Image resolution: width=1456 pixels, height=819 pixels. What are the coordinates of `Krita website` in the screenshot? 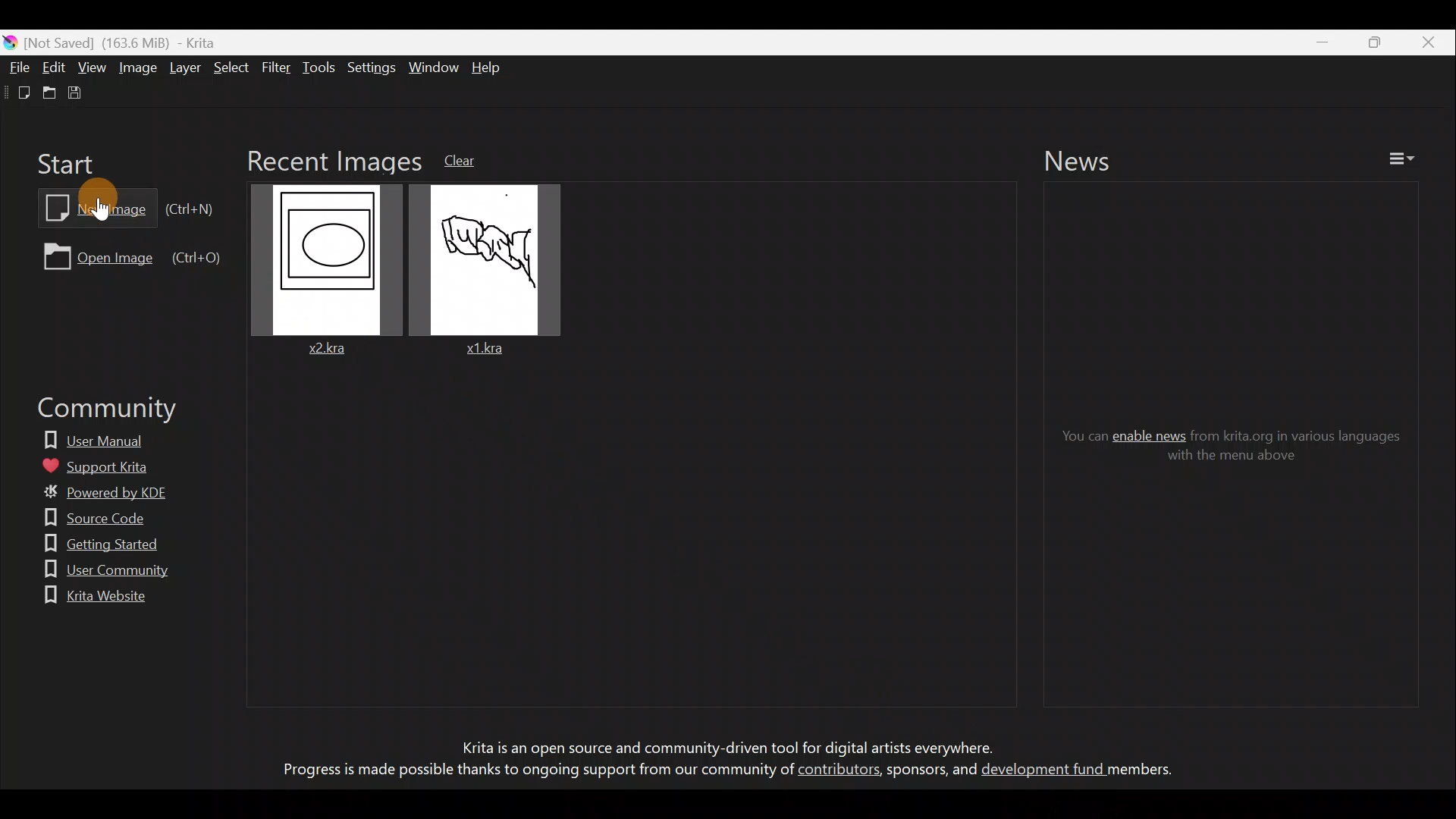 It's located at (92, 596).